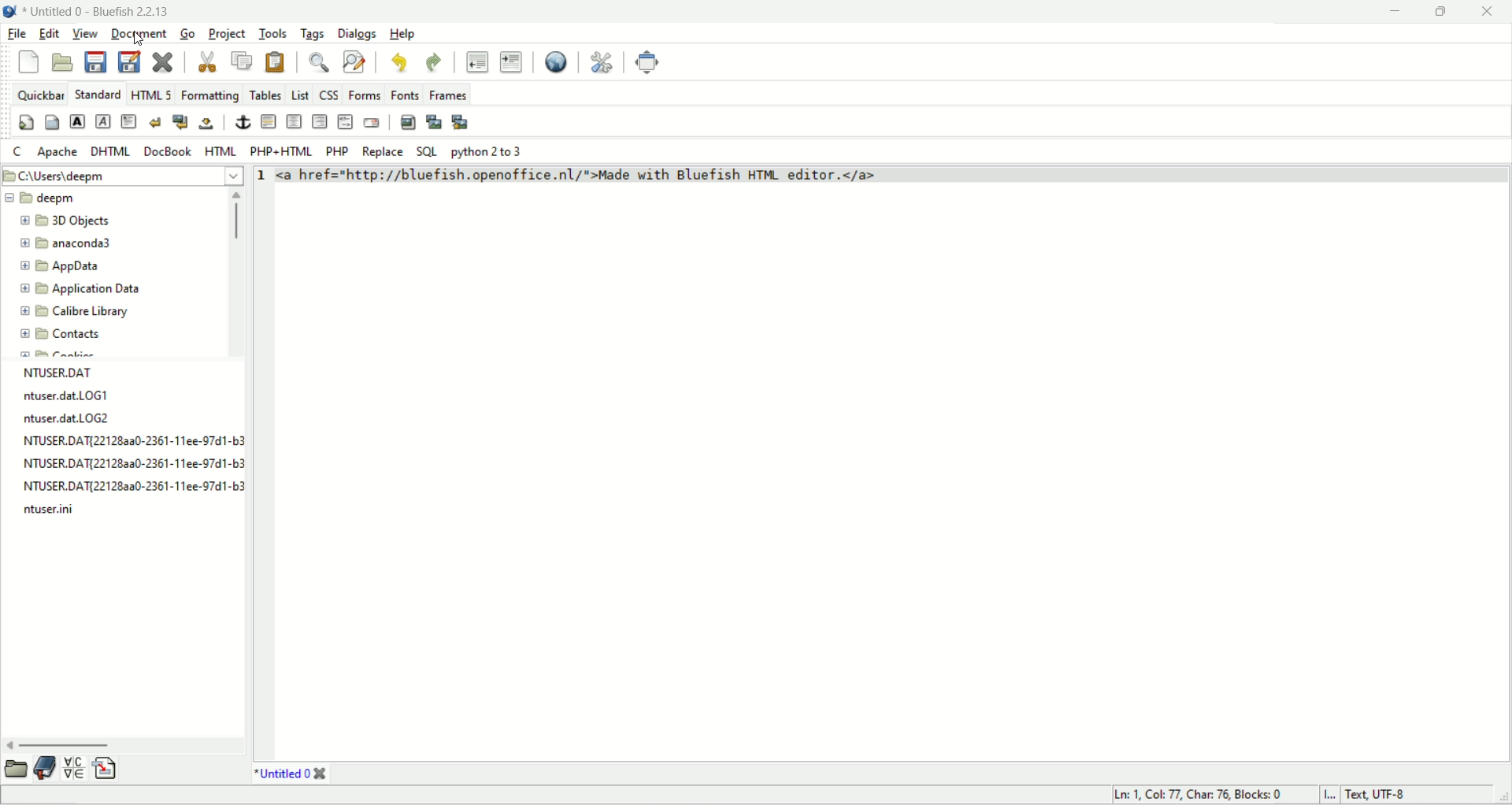 The width and height of the screenshot is (1512, 805). Describe the element at coordinates (86, 35) in the screenshot. I see `view` at that location.